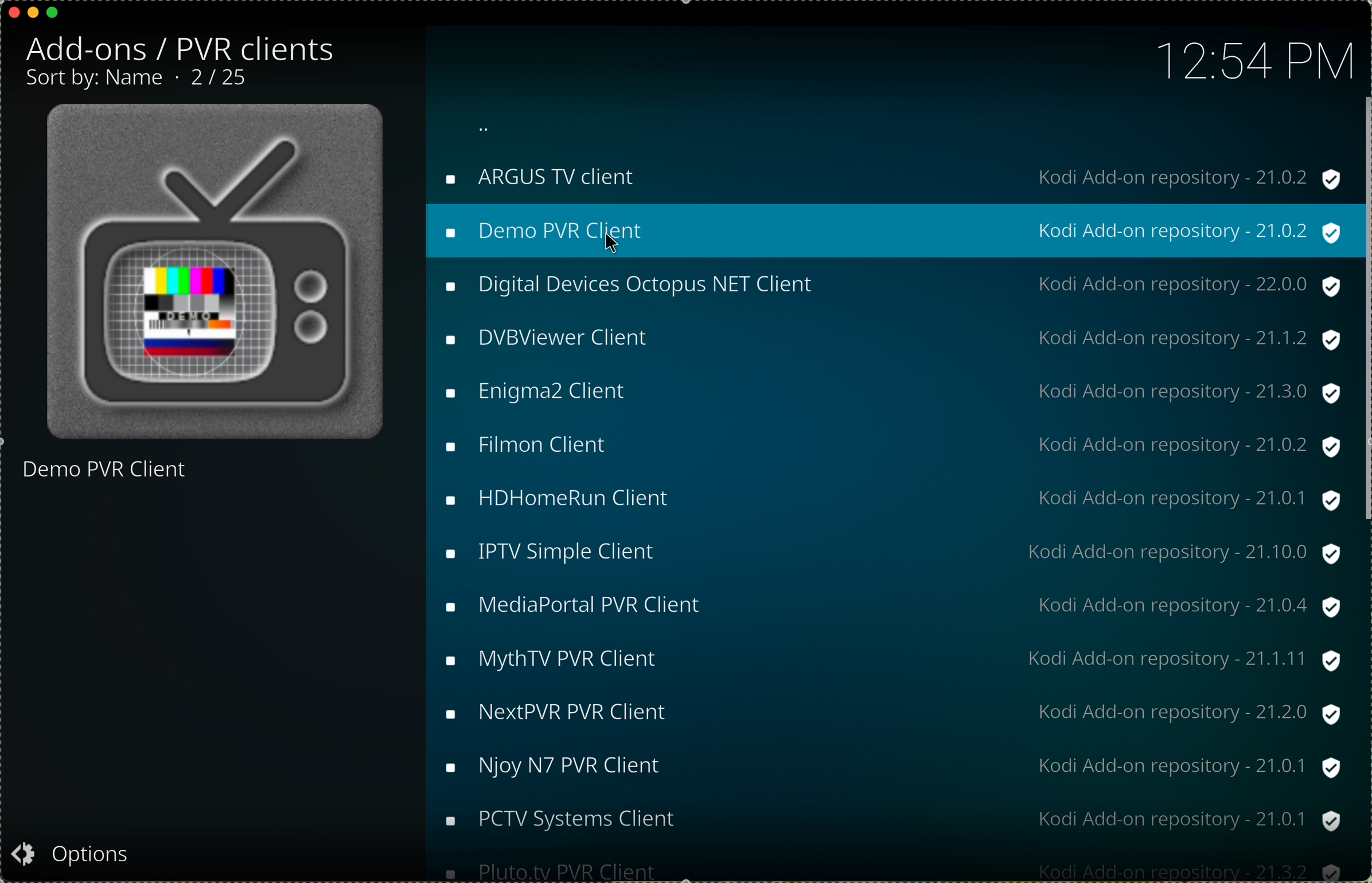  Describe the element at coordinates (216, 272) in the screenshot. I see `PVR client preview` at that location.